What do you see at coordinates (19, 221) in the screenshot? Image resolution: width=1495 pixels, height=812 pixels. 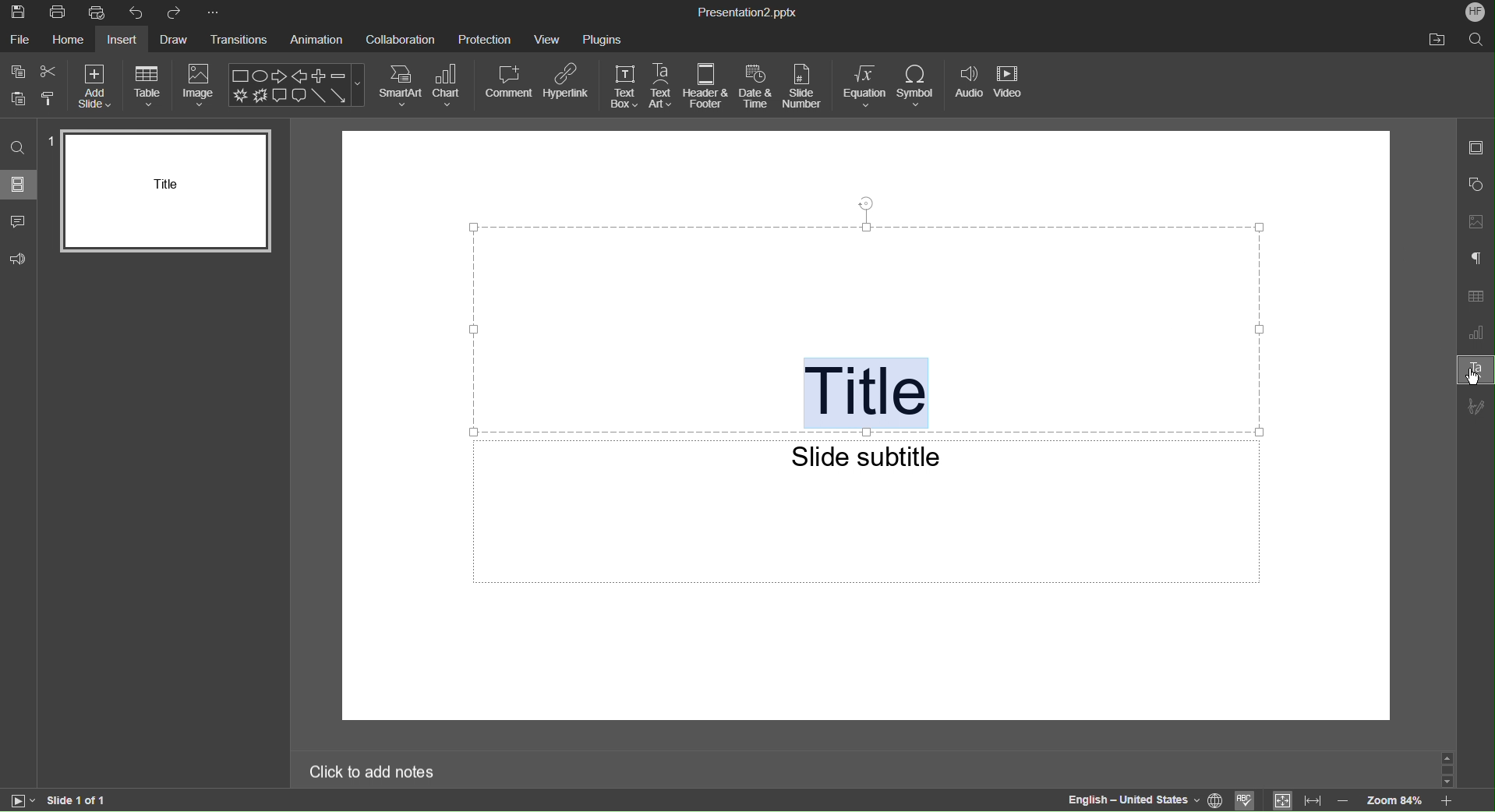 I see `Comment` at bounding box center [19, 221].